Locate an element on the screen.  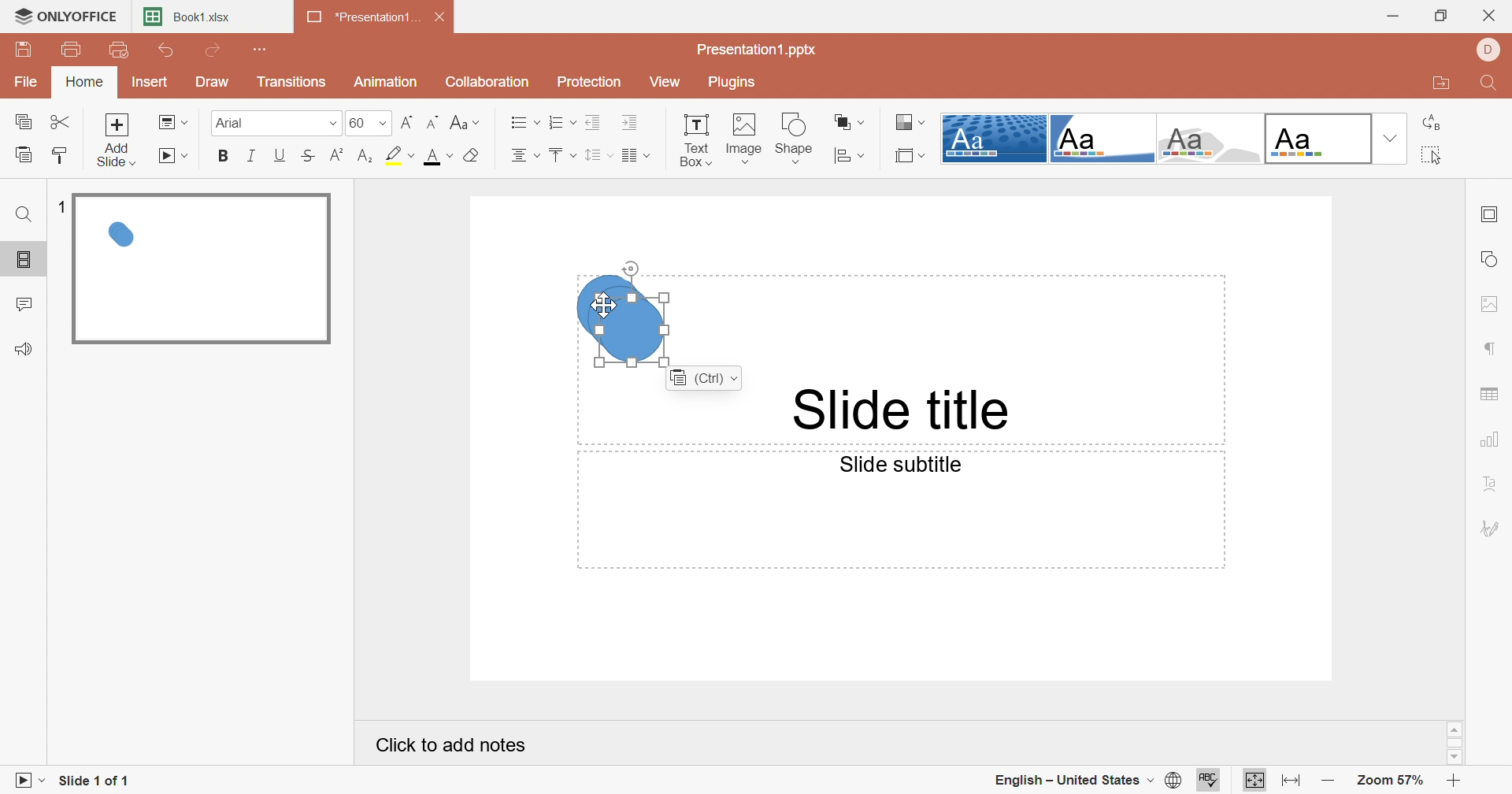
Shape settings is located at coordinates (1492, 258).